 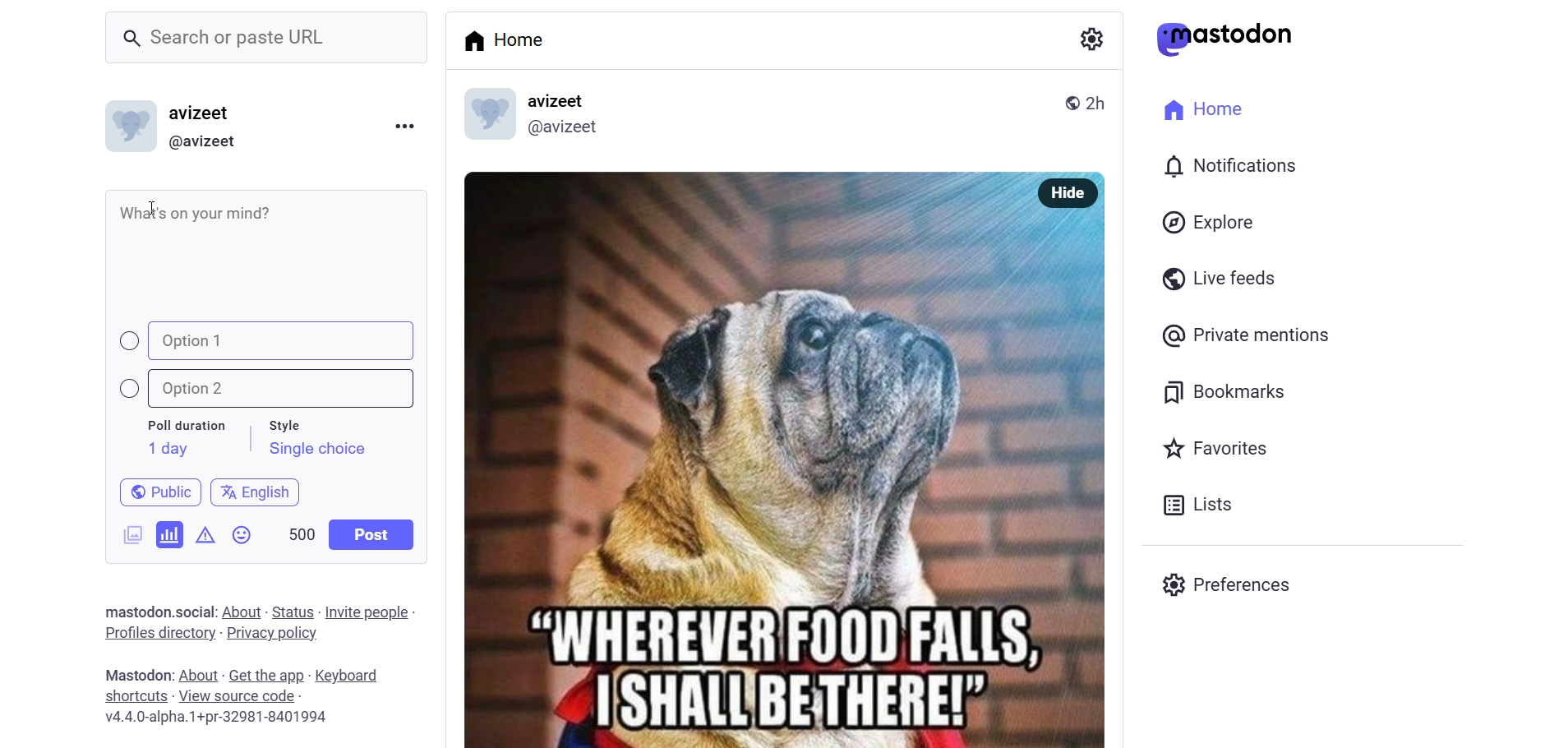 I want to click on home, so click(x=510, y=39).